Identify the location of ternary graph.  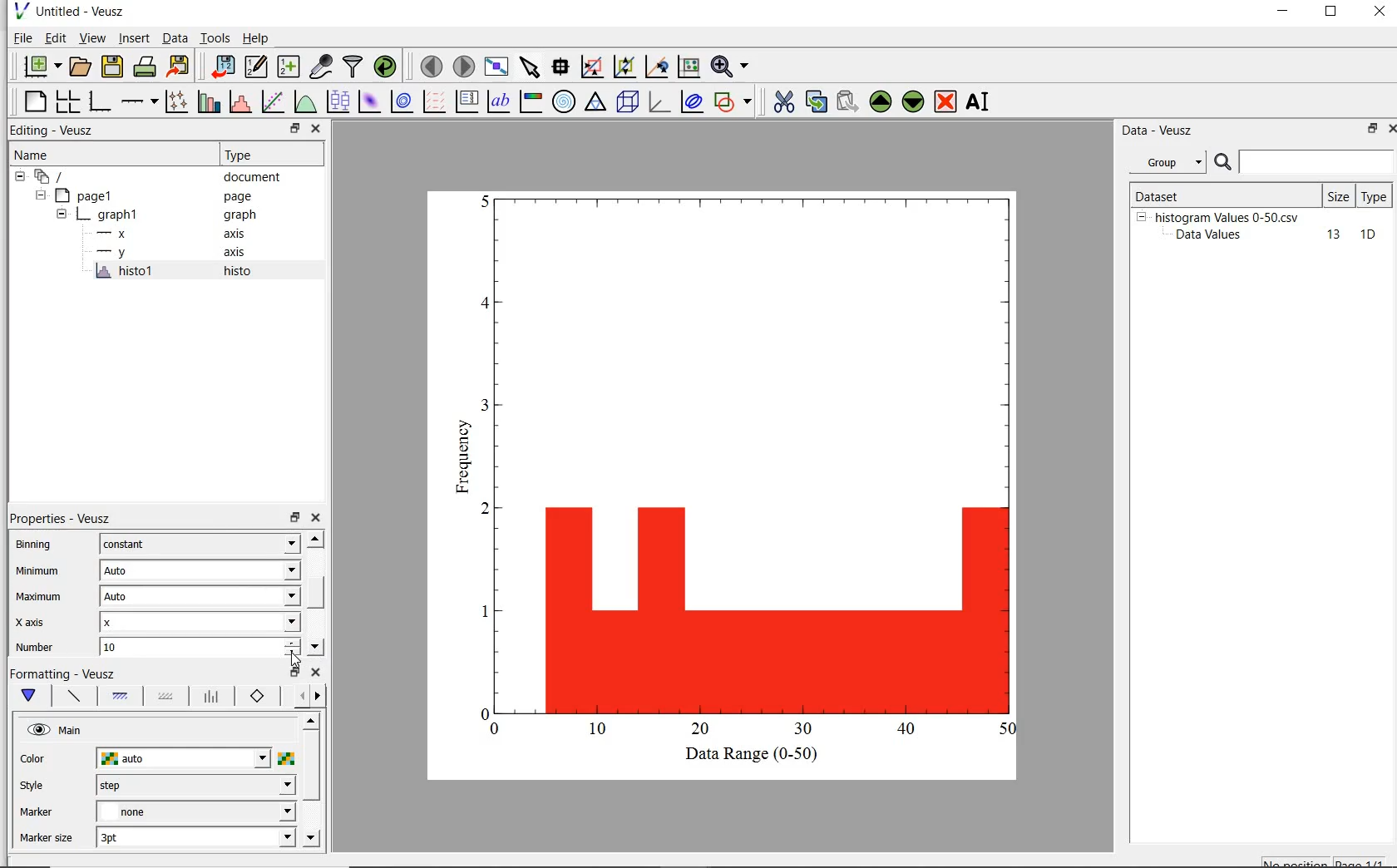
(596, 103).